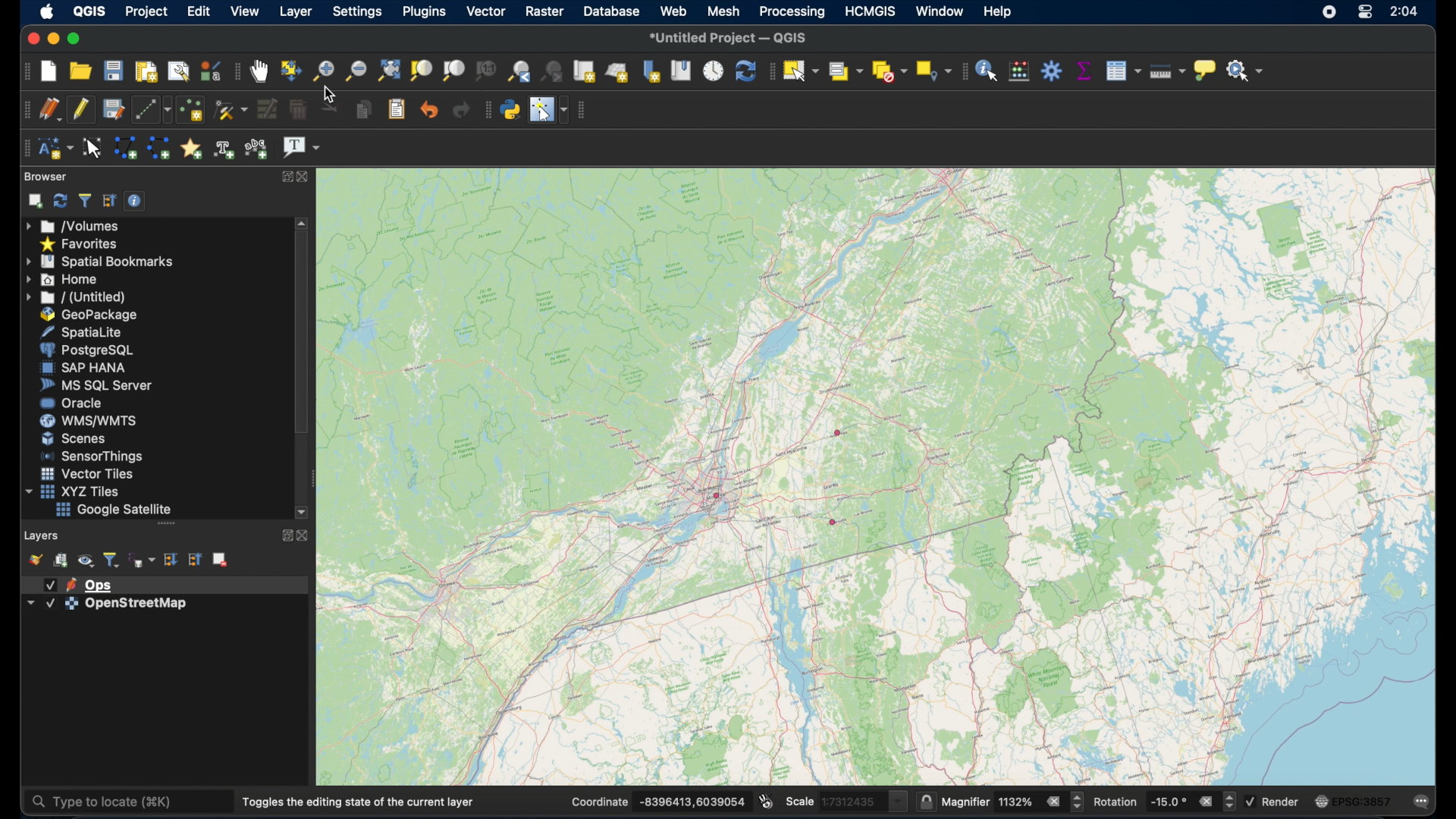 The width and height of the screenshot is (1456, 819). I want to click on view, so click(243, 11).